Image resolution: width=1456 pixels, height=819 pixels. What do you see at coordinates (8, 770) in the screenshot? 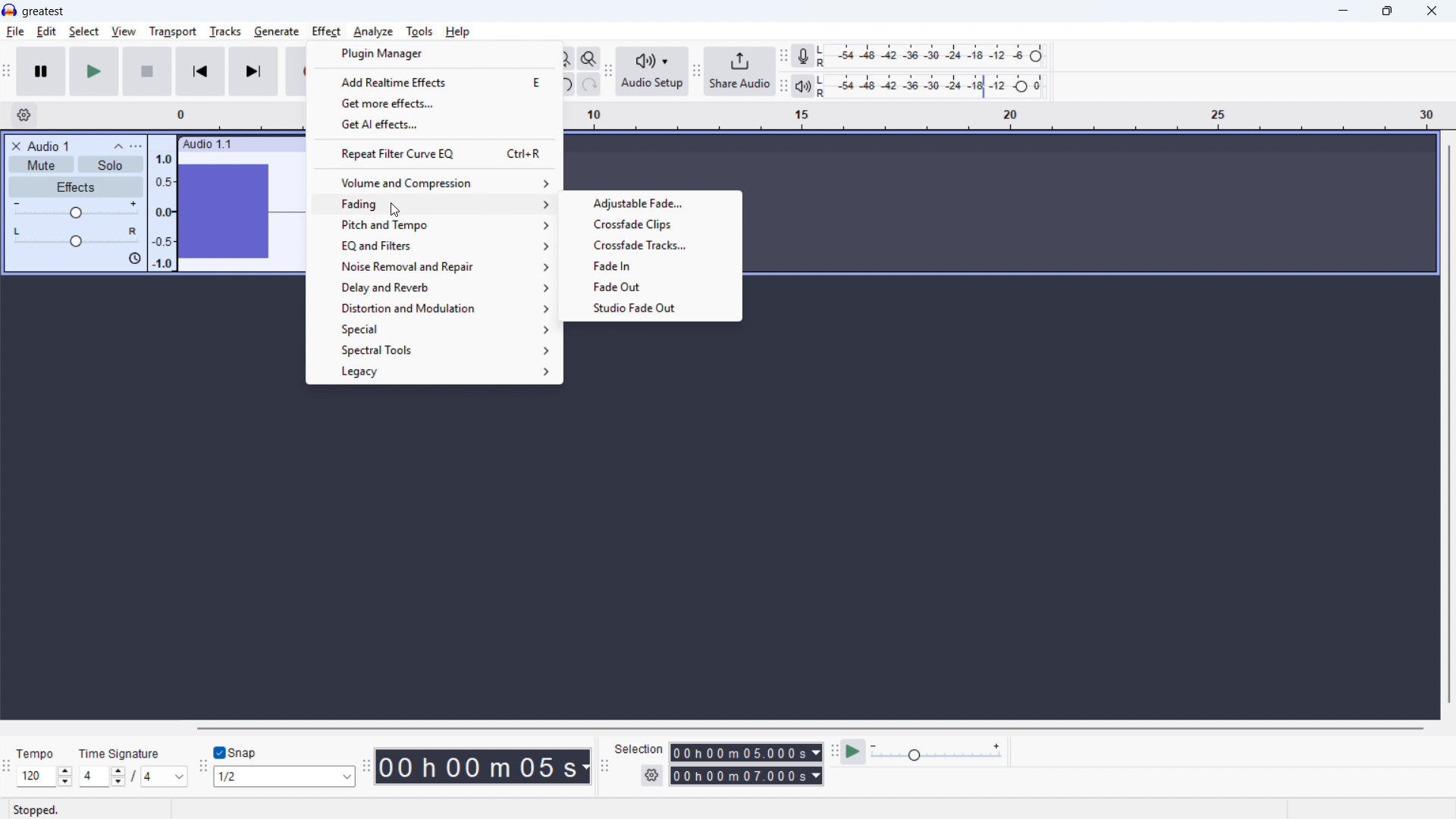
I see `Time signature toolbar ` at bounding box center [8, 770].